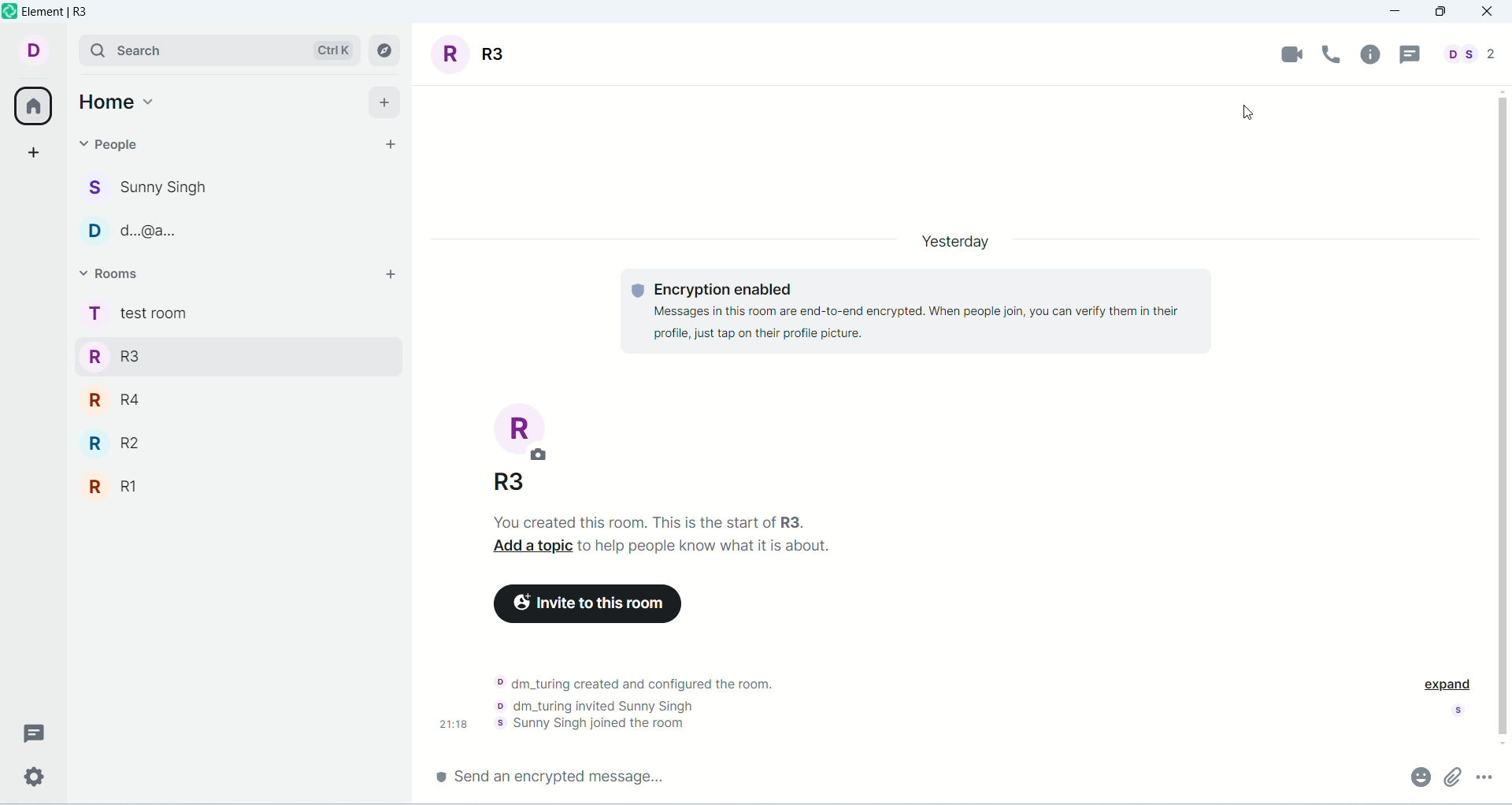 This screenshot has height=805, width=1512. Describe the element at coordinates (209, 354) in the screenshot. I see `R3` at that location.